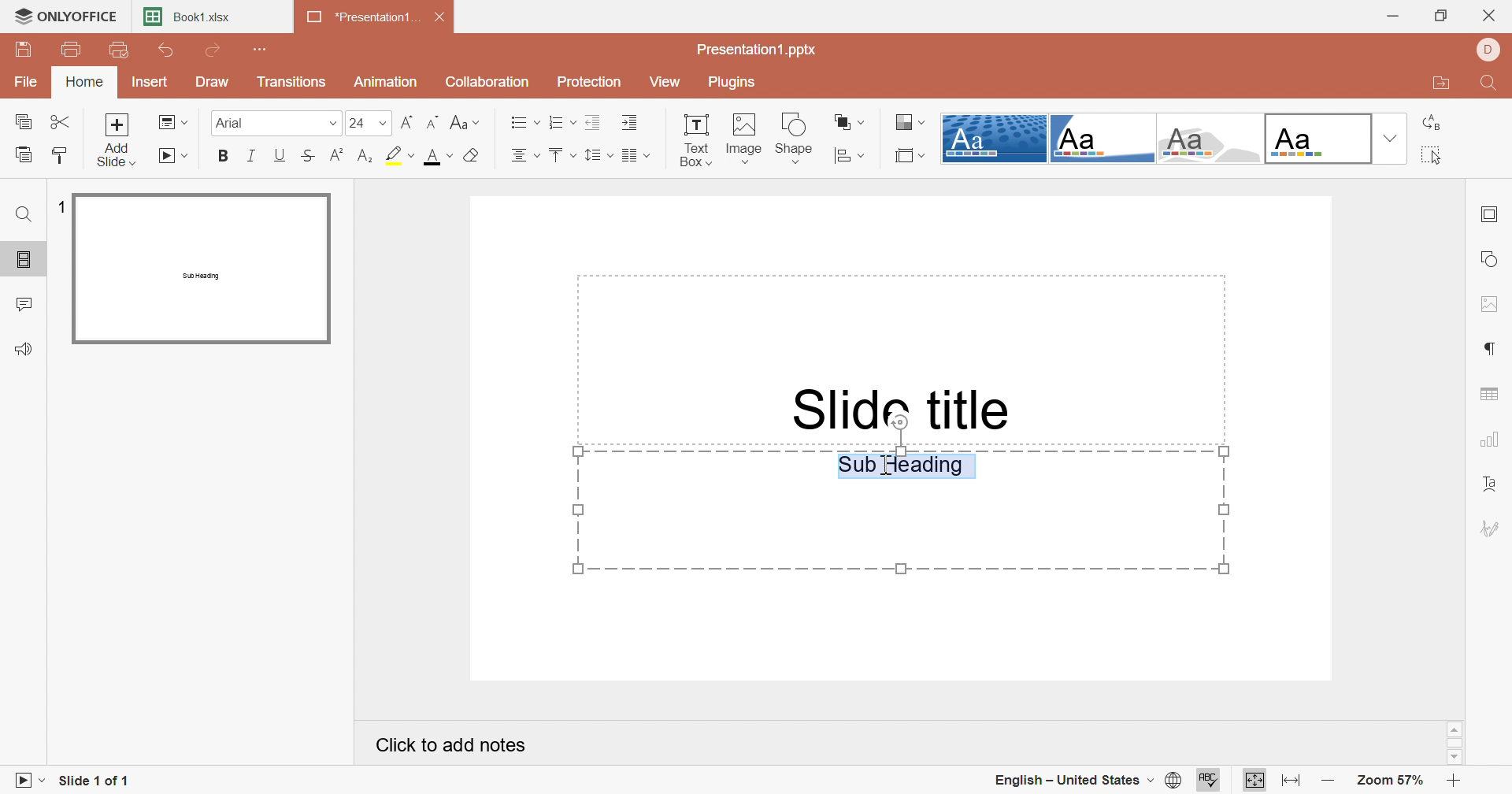  I want to click on Zoom 57%, so click(1392, 781).